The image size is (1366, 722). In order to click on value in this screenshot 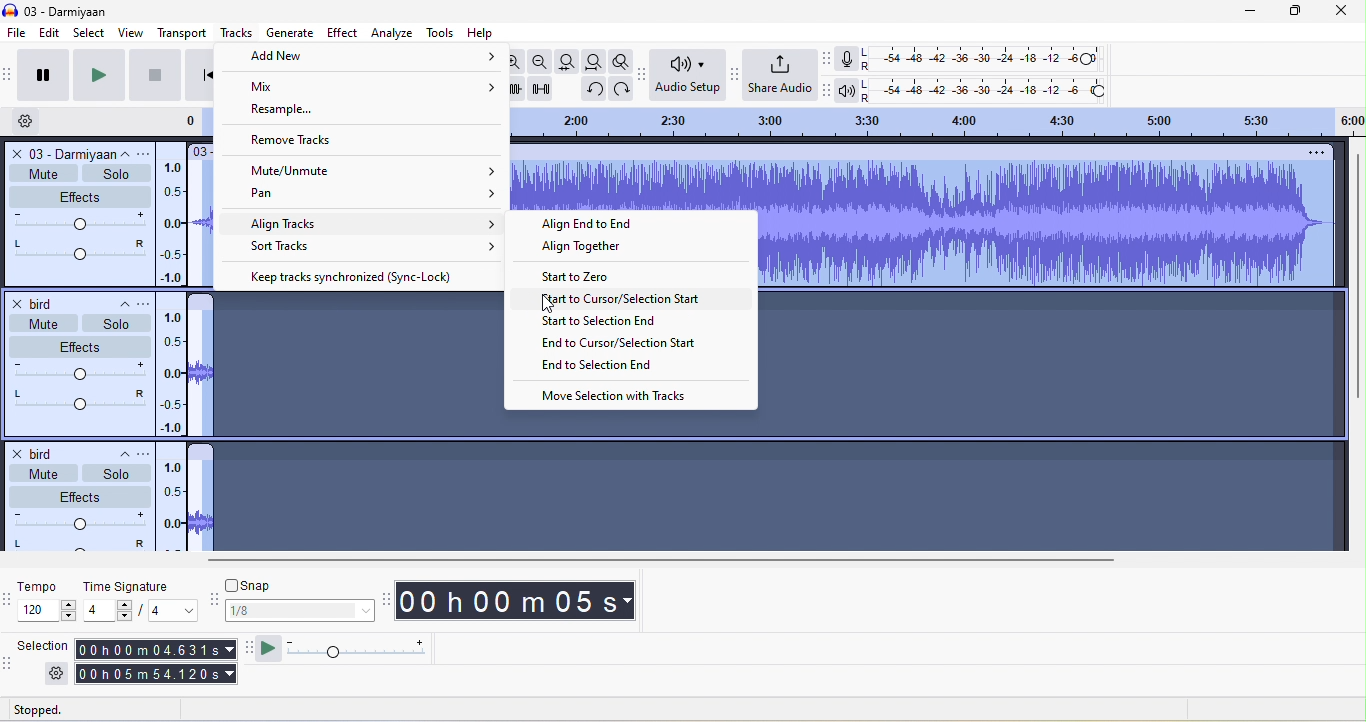, I will do `click(165, 612)`.